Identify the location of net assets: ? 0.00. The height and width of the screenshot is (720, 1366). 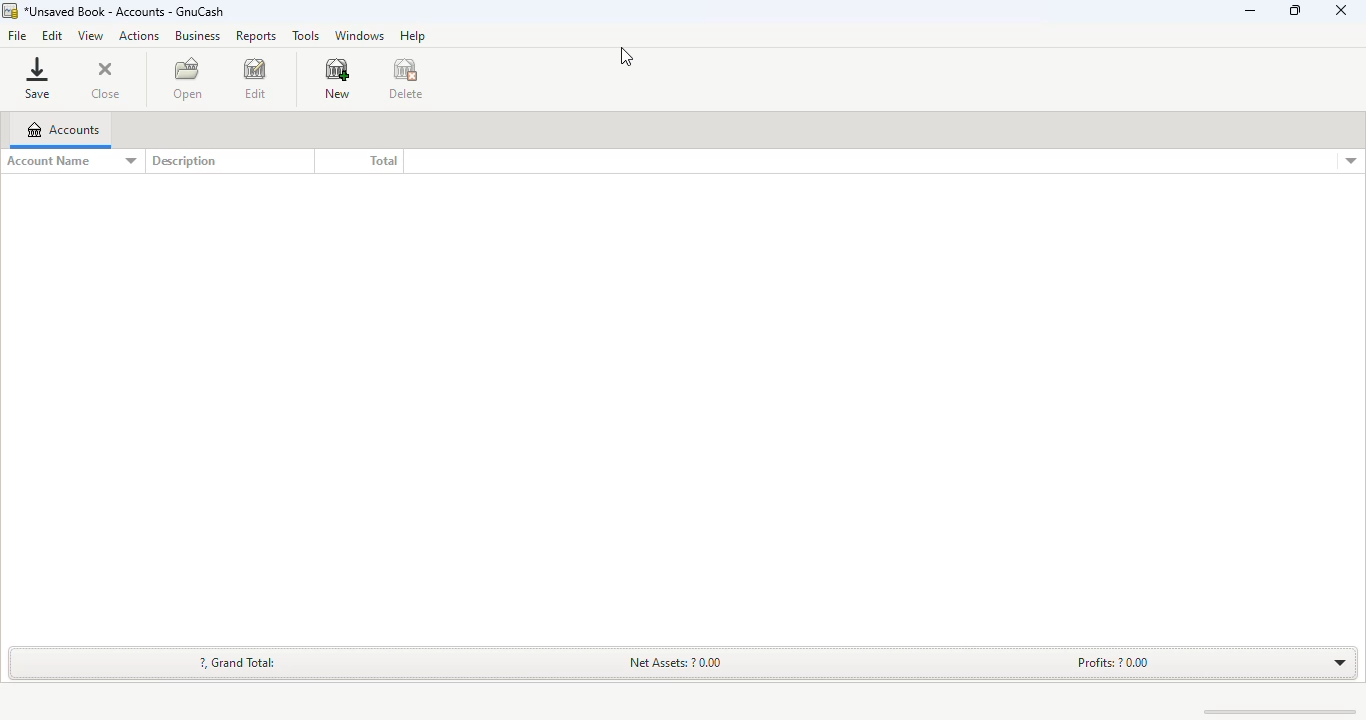
(677, 661).